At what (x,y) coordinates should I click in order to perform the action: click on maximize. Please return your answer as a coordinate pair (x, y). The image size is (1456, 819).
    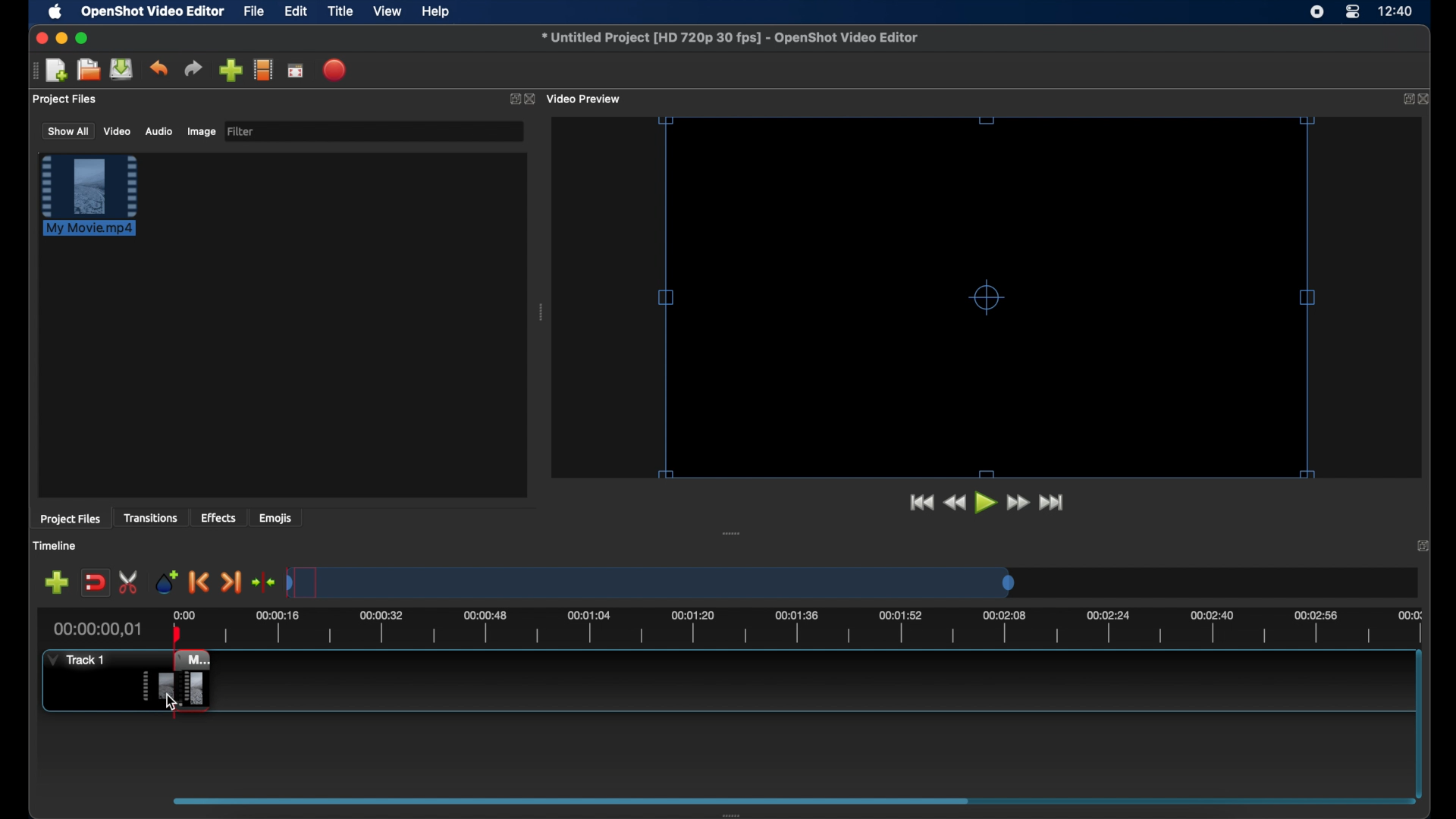
    Looking at the image, I should click on (83, 38).